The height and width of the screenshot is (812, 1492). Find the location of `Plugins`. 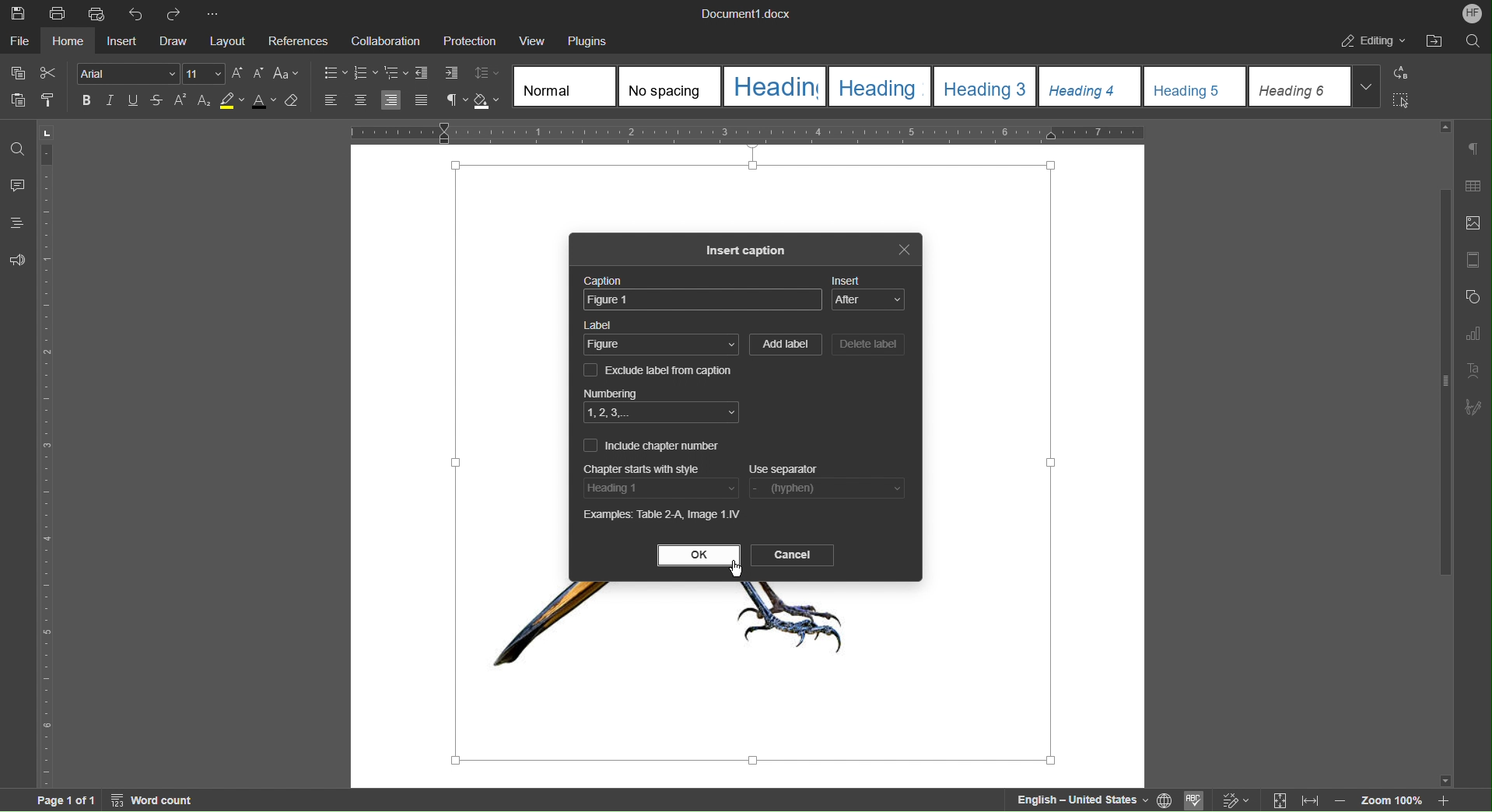

Plugins is located at coordinates (587, 42).